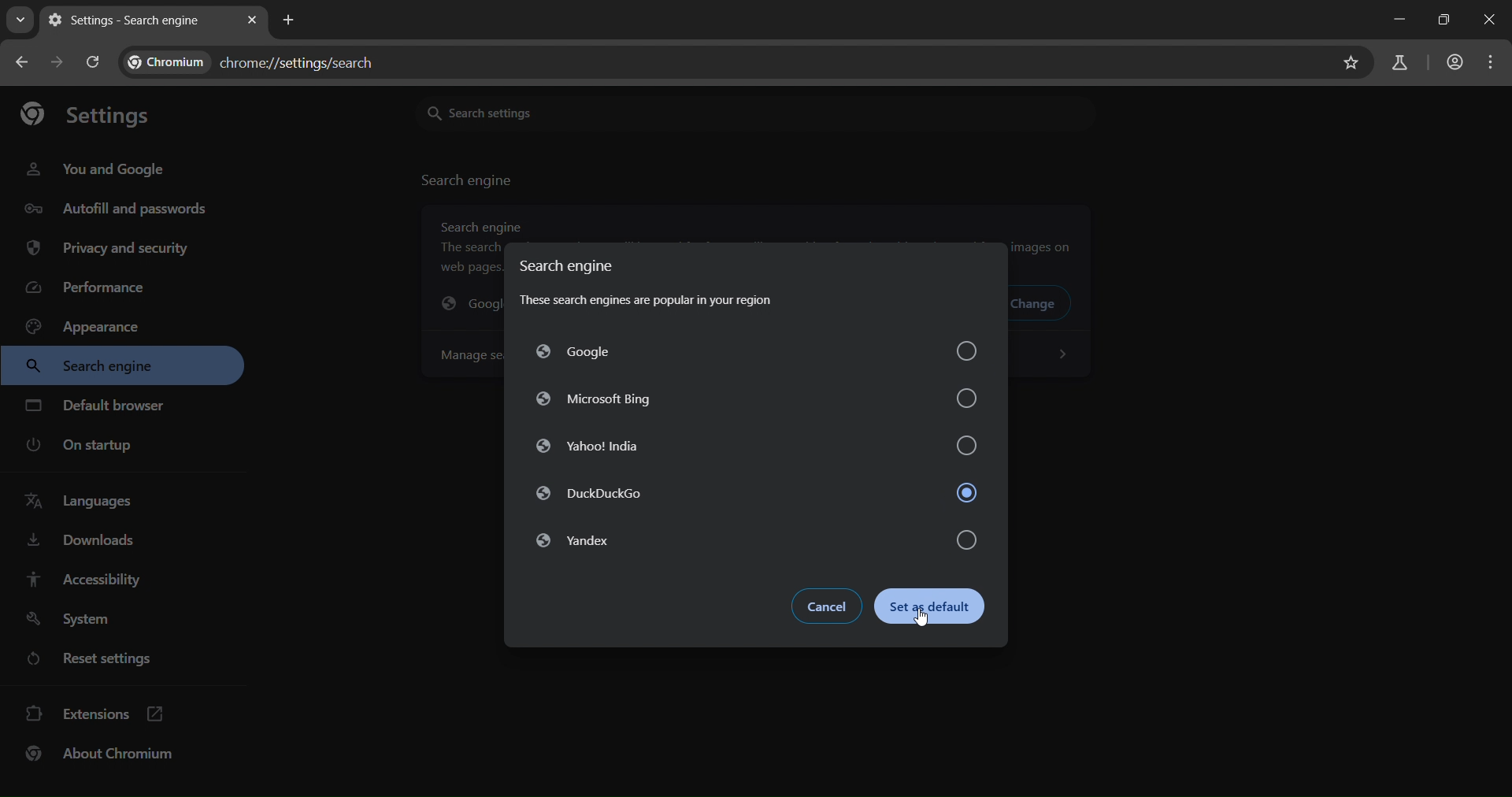 Image resolution: width=1512 pixels, height=797 pixels. Describe the element at coordinates (750, 541) in the screenshot. I see `Yandex` at that location.